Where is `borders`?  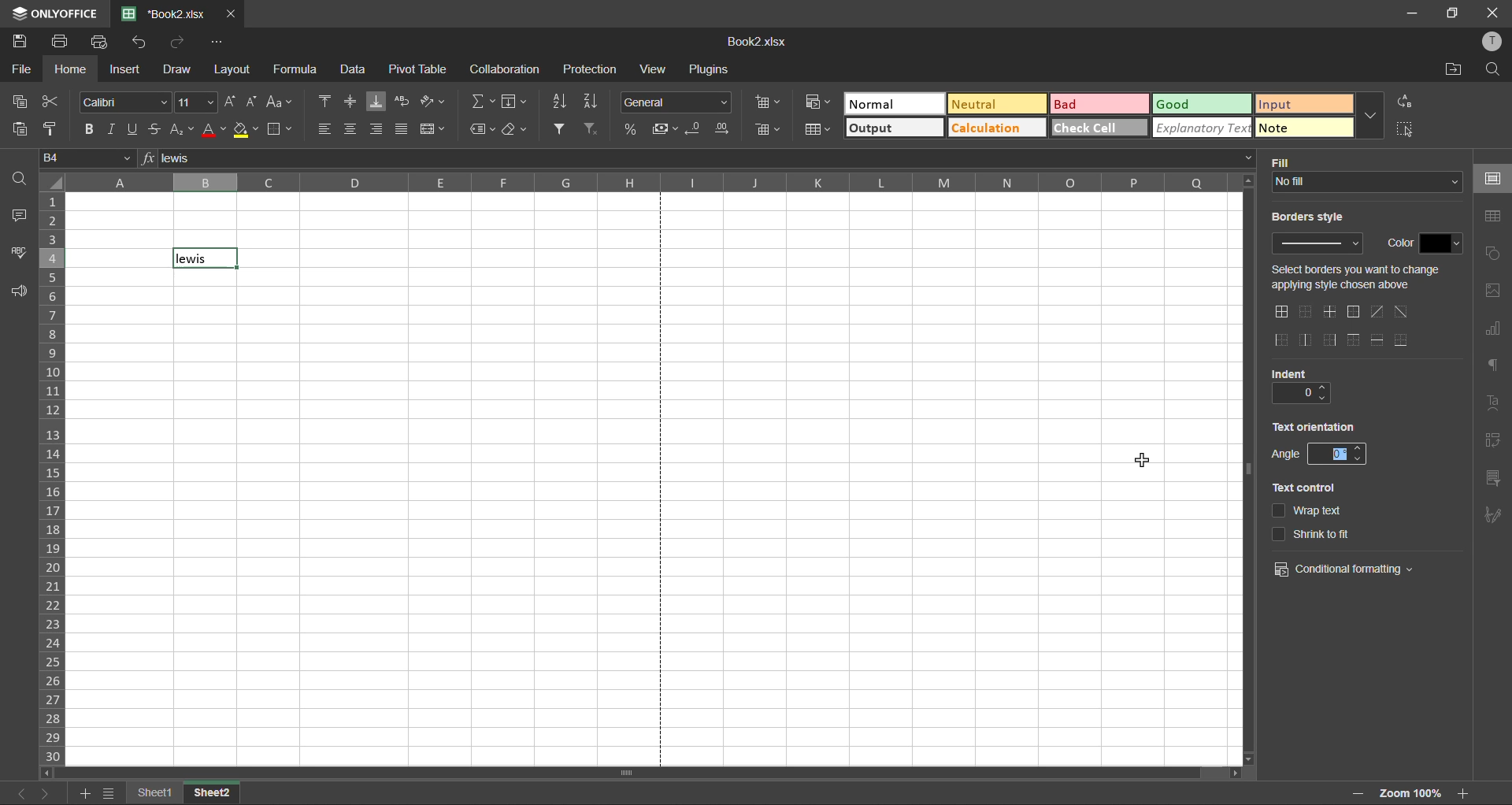 borders is located at coordinates (282, 132).